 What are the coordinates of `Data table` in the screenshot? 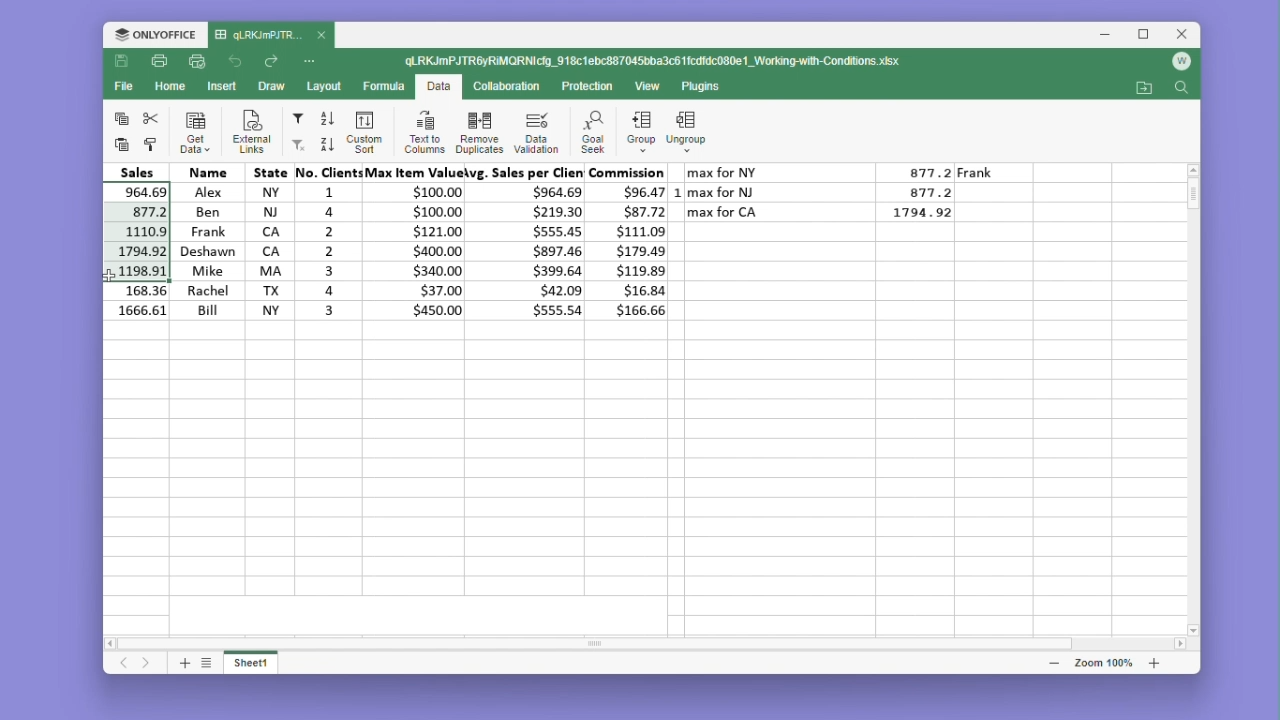 It's located at (839, 198).